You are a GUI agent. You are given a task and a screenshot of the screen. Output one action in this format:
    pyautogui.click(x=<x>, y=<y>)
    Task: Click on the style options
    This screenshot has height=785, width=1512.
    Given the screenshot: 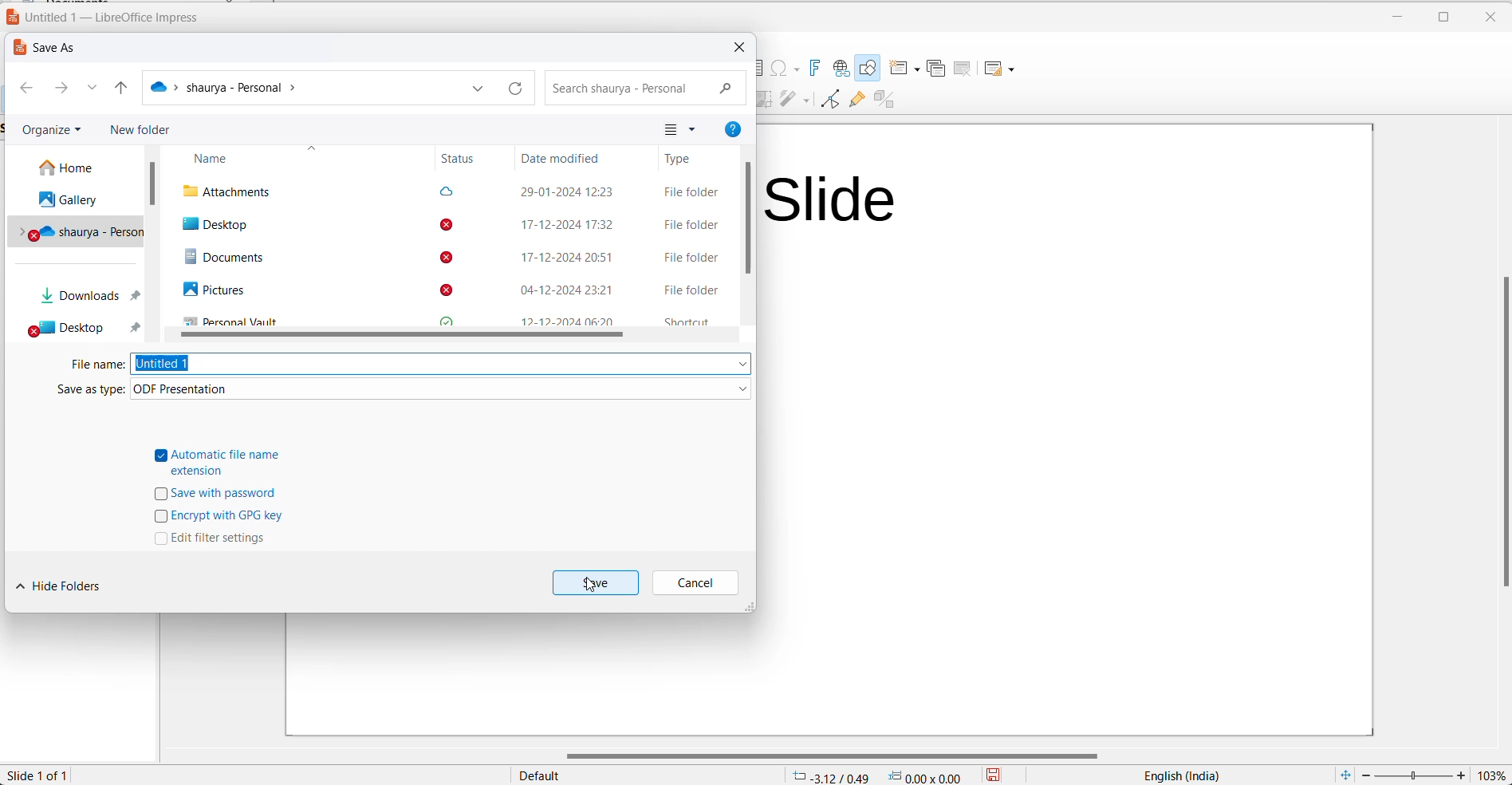 What is the action you would take?
    pyautogui.click(x=542, y=776)
    